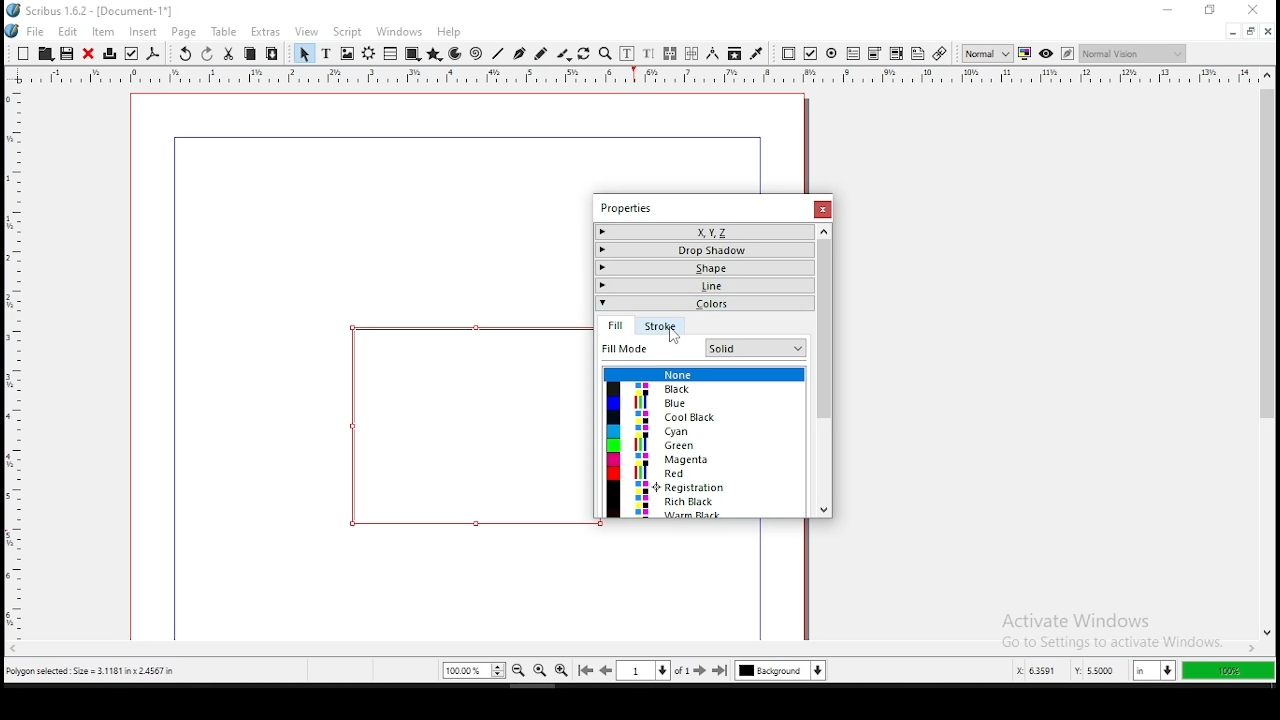 The width and height of the screenshot is (1280, 720). Describe the element at coordinates (640, 74) in the screenshot. I see `vertical ruler` at that location.